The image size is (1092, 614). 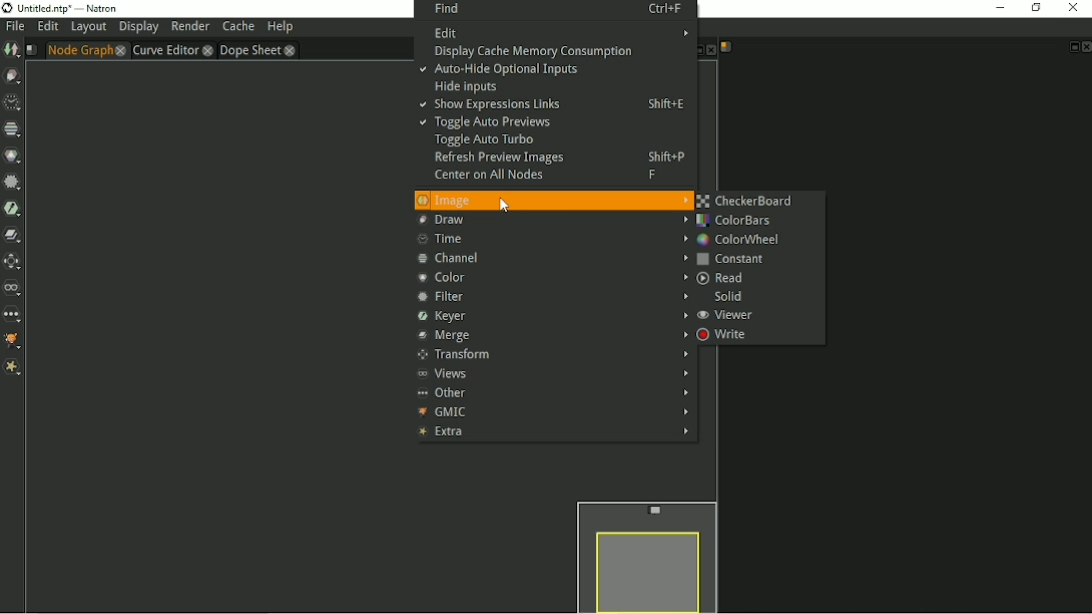 I want to click on Help, so click(x=279, y=27).